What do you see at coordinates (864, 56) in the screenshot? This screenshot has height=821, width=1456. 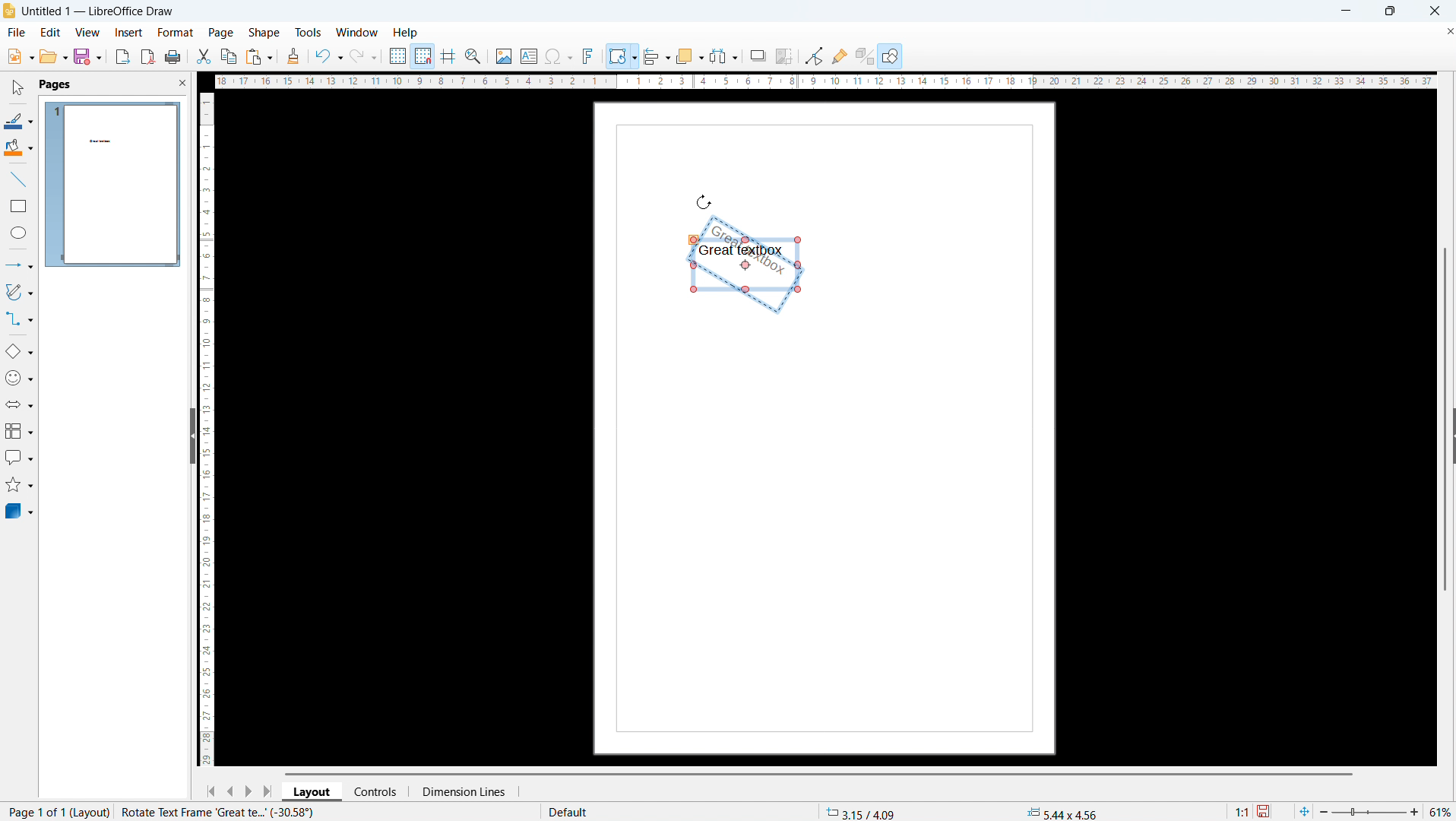 I see `toggle extrusion` at bounding box center [864, 56].